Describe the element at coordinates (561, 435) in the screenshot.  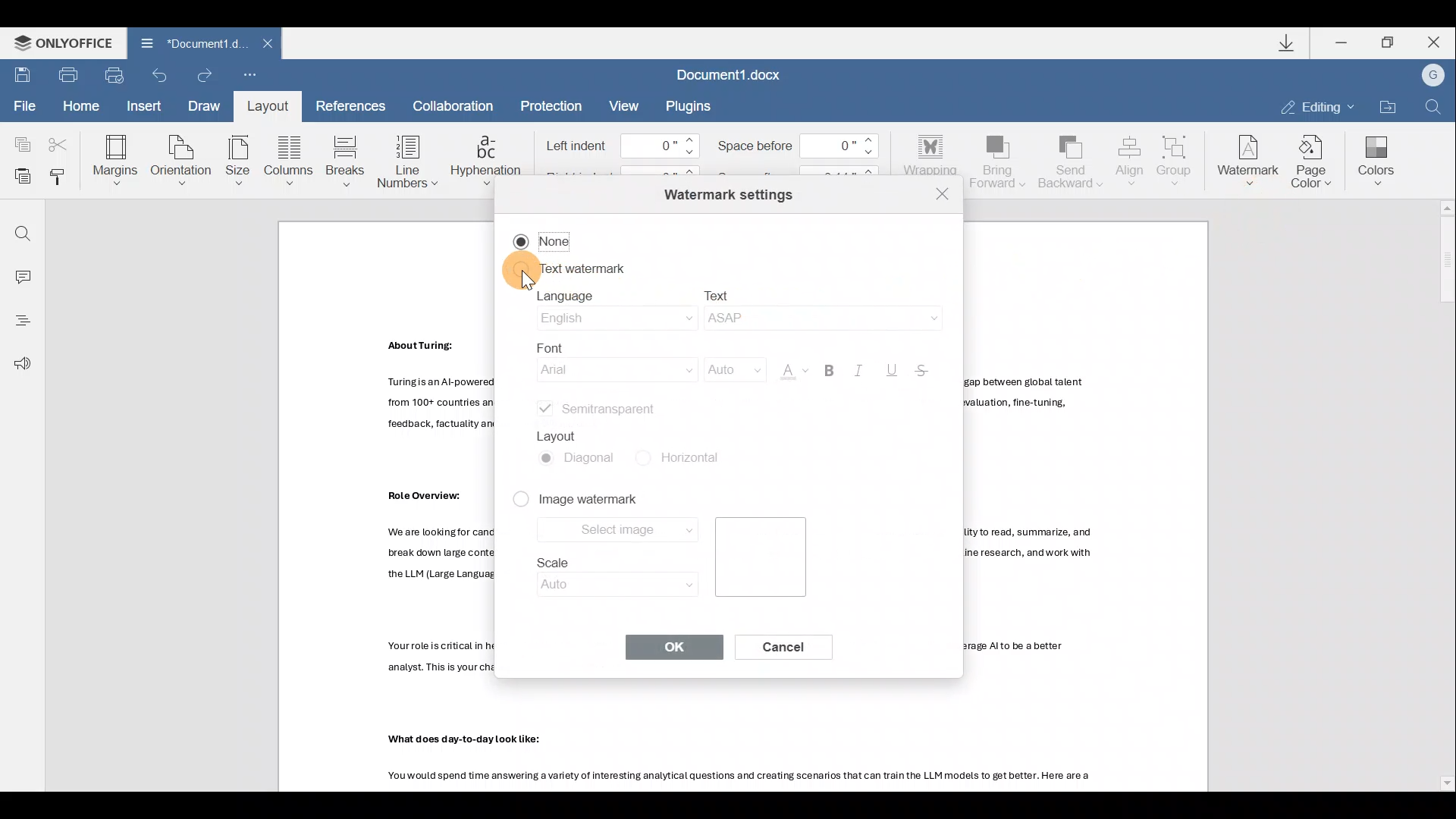
I see `Layout` at that location.